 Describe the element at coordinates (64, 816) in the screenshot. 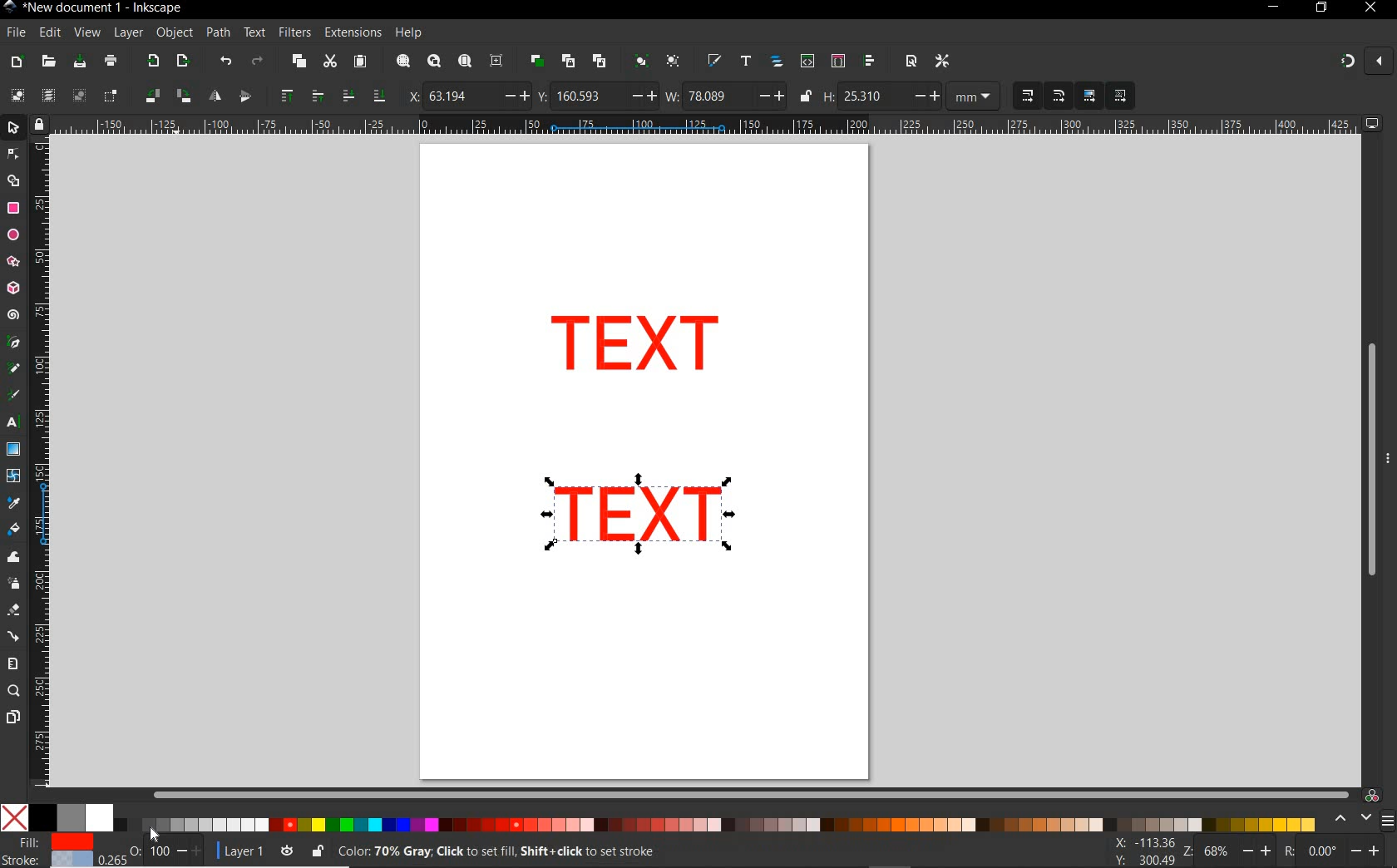

I see `` at that location.